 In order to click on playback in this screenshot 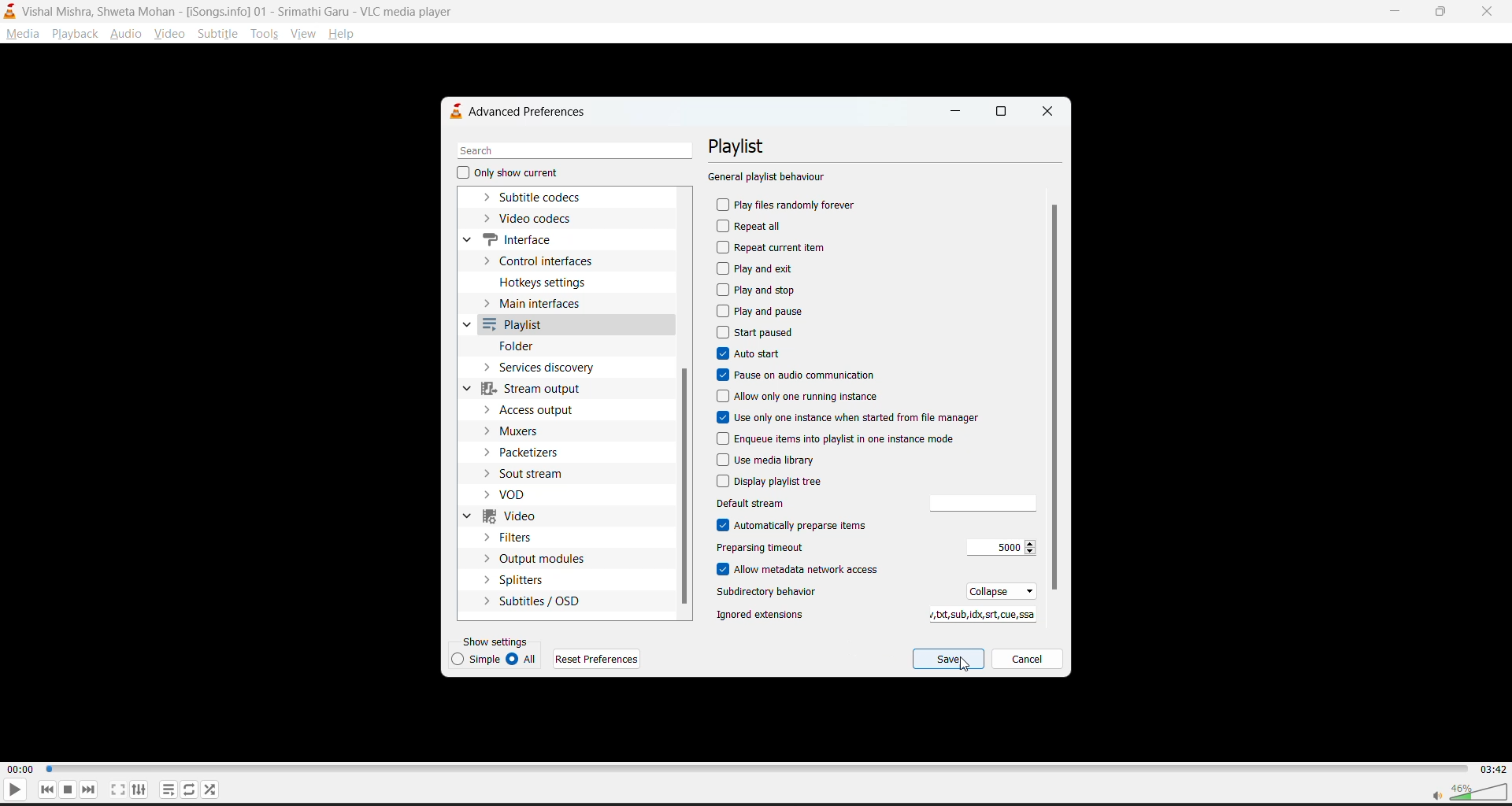, I will do `click(76, 35)`.